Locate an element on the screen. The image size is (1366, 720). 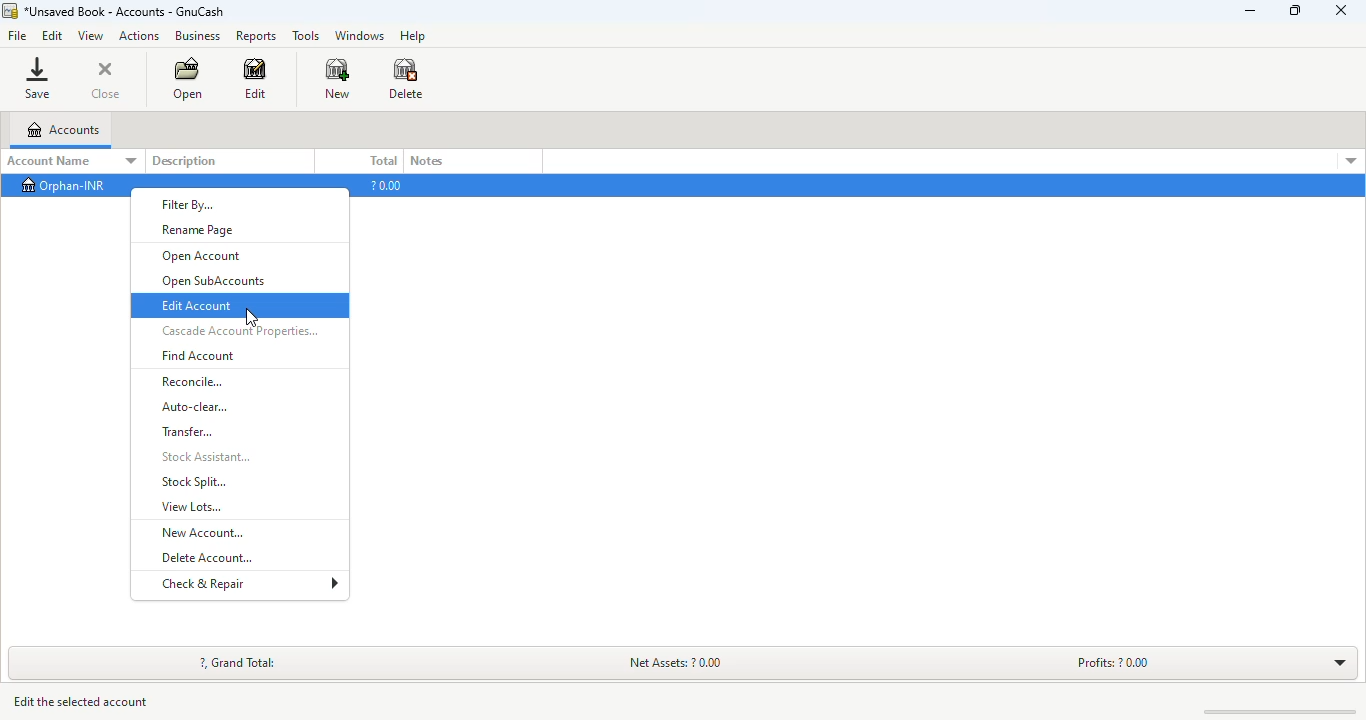
filter by is located at coordinates (187, 206).